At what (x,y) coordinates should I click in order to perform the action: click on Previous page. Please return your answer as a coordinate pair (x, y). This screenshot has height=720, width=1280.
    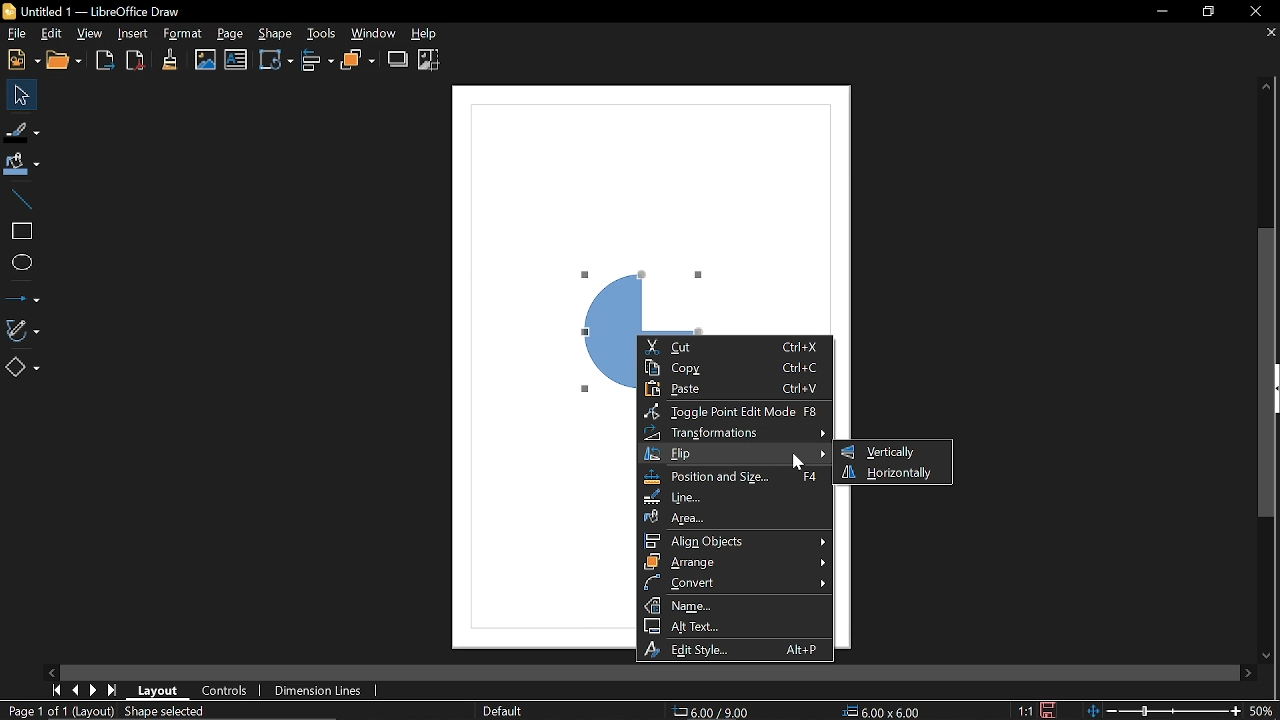
    Looking at the image, I should click on (76, 690).